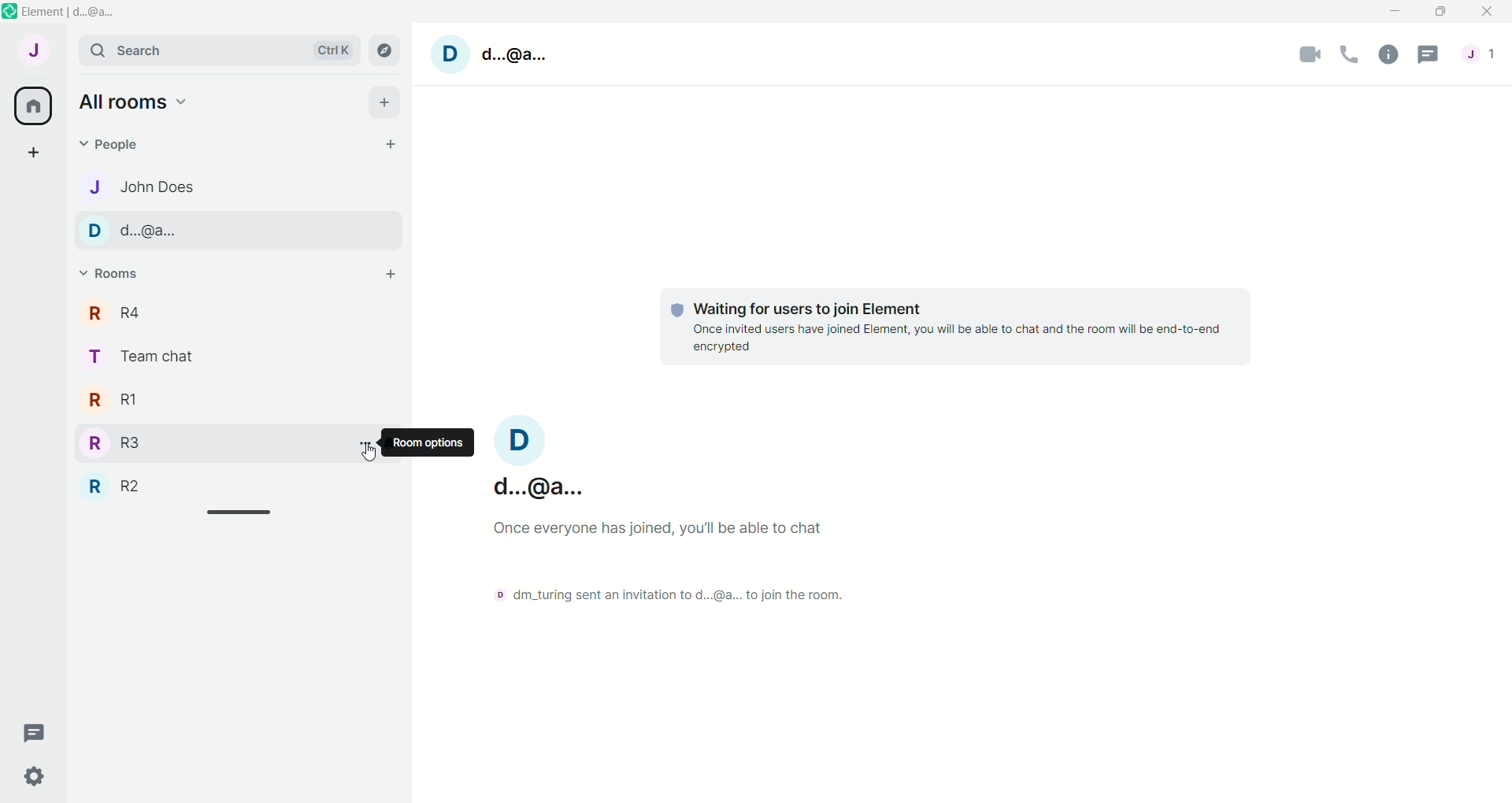  What do you see at coordinates (369, 442) in the screenshot?
I see `room options` at bounding box center [369, 442].